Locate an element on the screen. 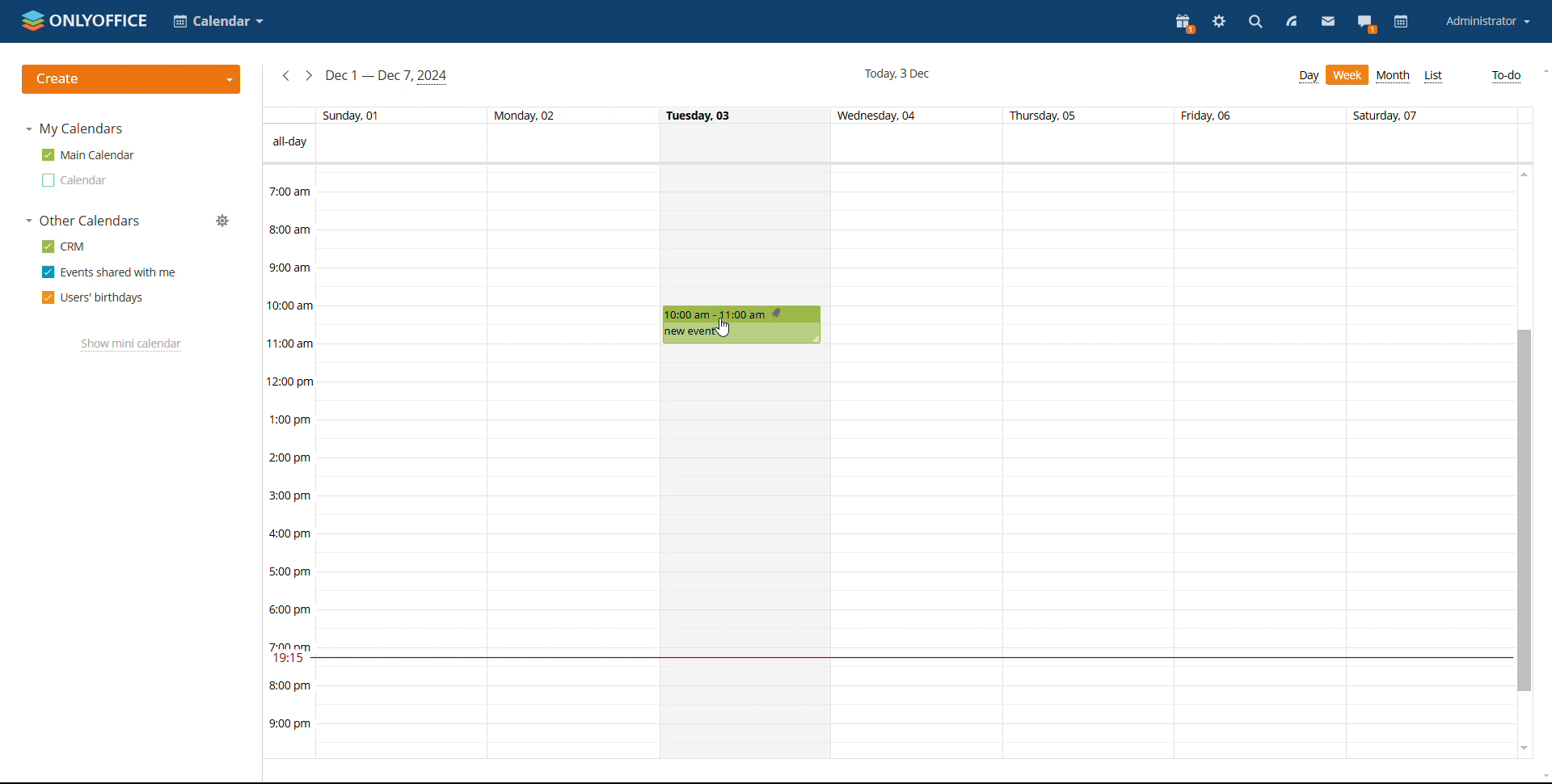  scroll  up is located at coordinates (1526, 173).